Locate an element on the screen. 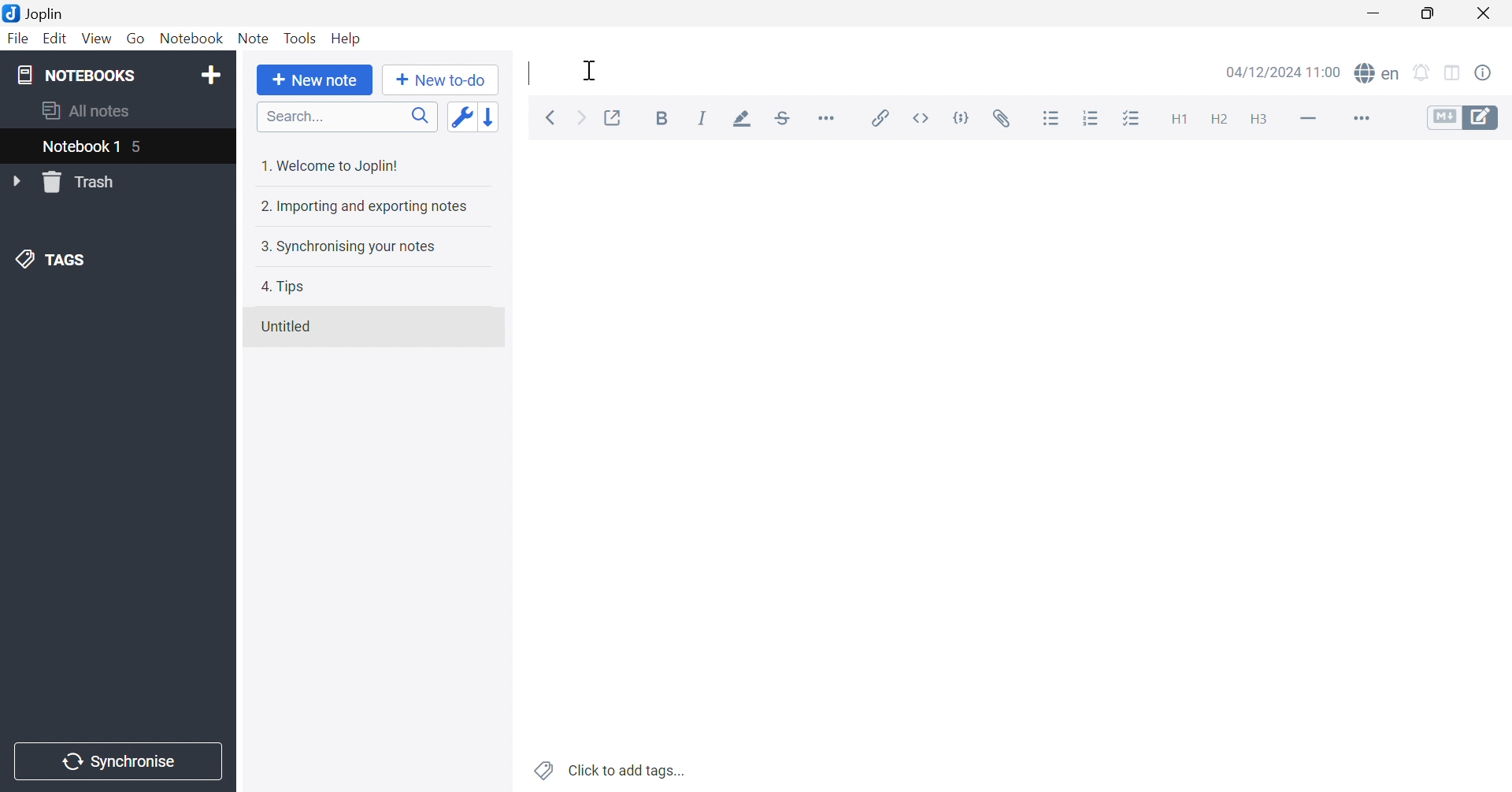 Image resolution: width=1512 pixels, height=792 pixels. 4. Tips is located at coordinates (289, 285).